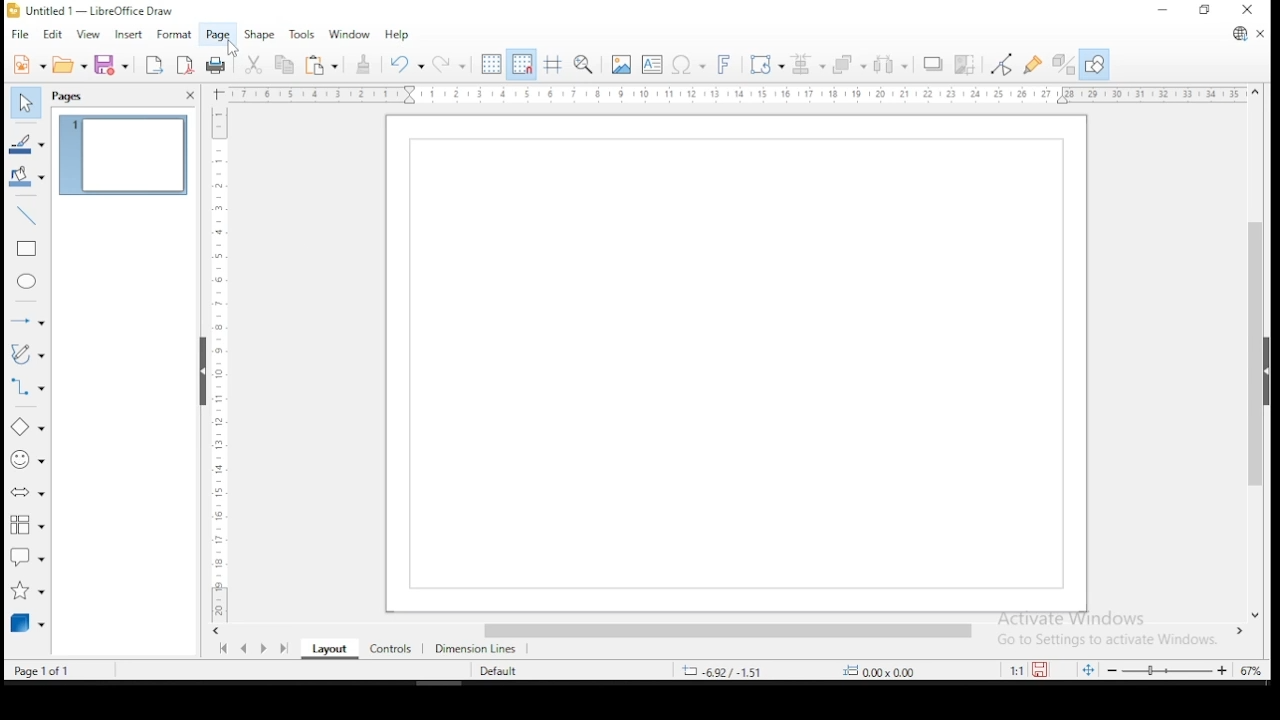 This screenshot has height=720, width=1280. I want to click on insert, so click(130, 36).